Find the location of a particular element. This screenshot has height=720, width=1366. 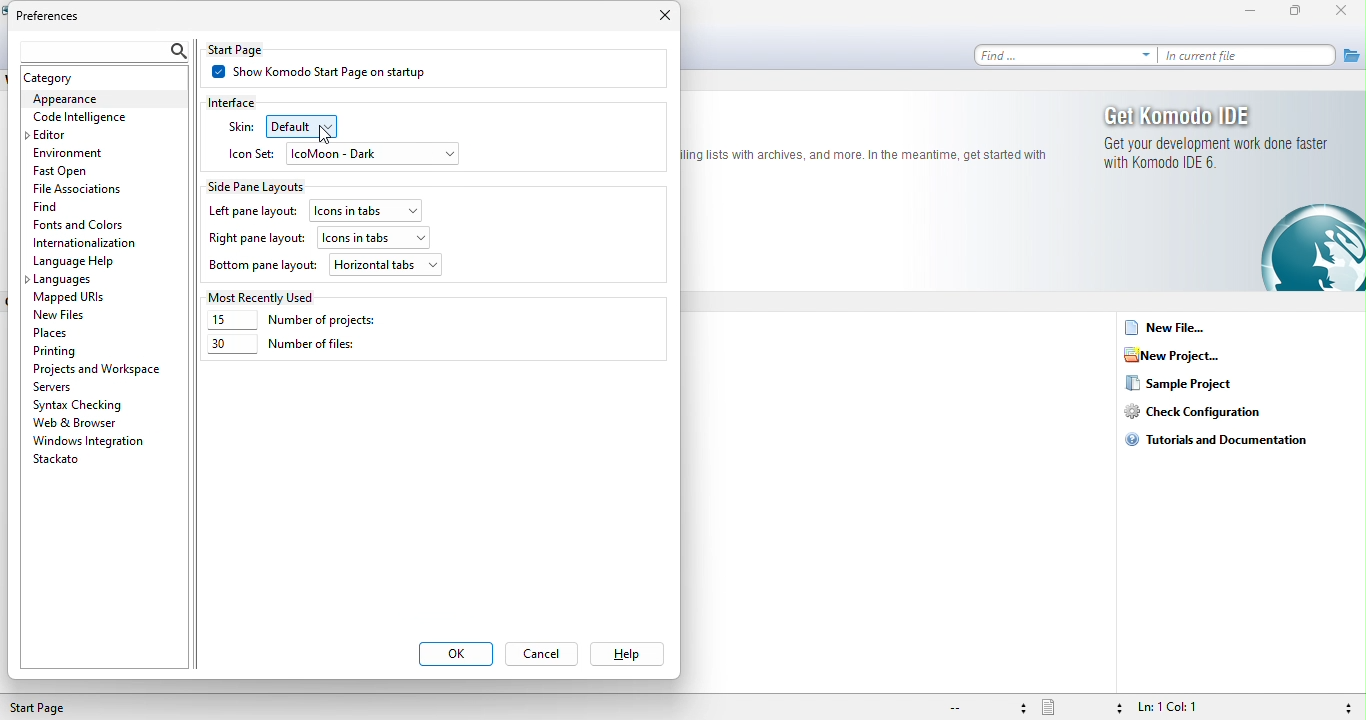

horizontal tabs is located at coordinates (386, 264).